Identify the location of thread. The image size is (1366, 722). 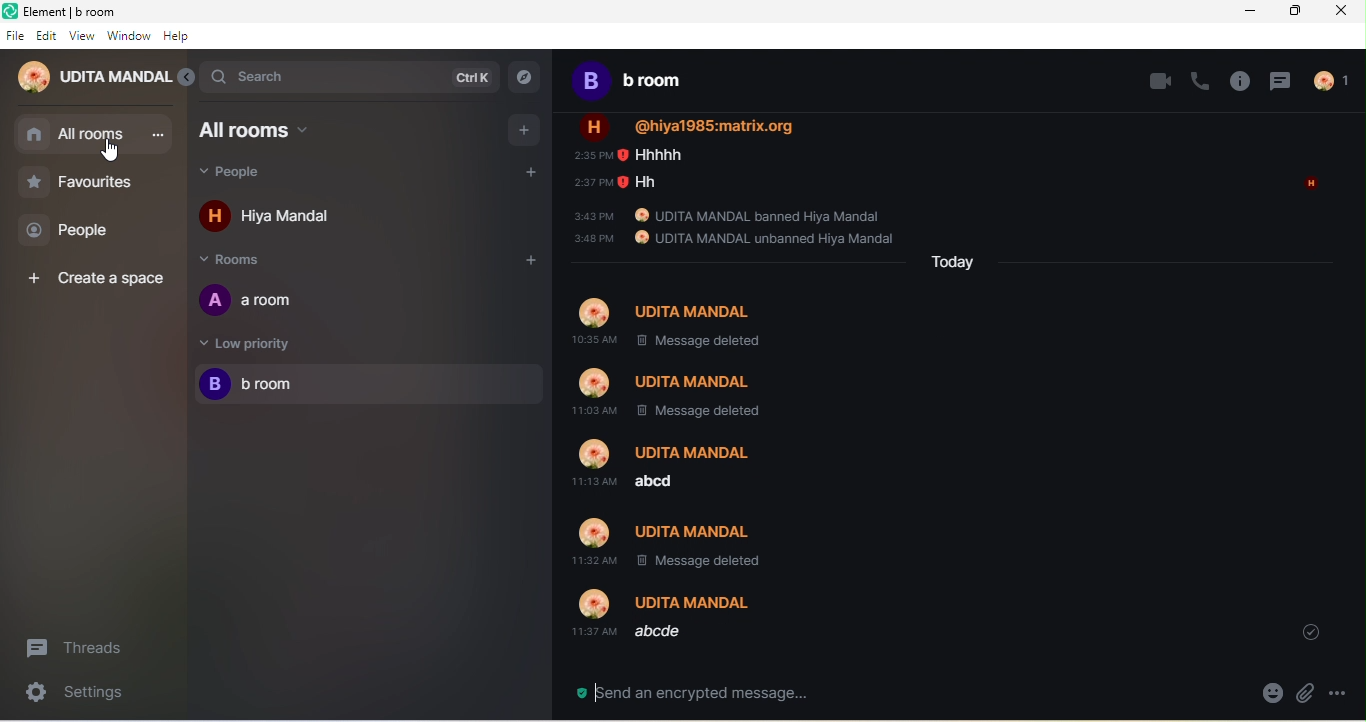
(1282, 81).